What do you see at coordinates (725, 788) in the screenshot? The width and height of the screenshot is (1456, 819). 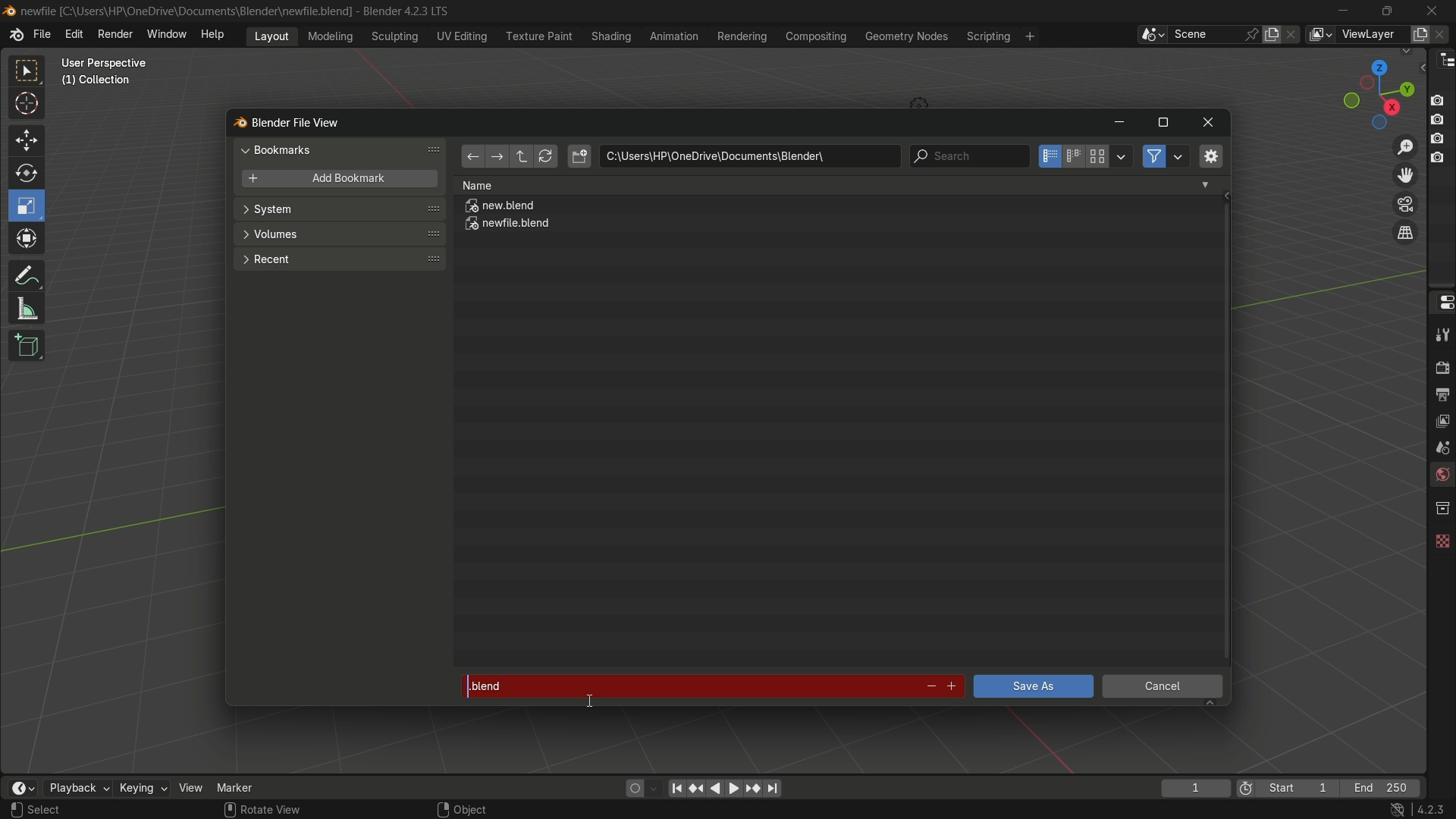 I see `play animation` at bounding box center [725, 788].